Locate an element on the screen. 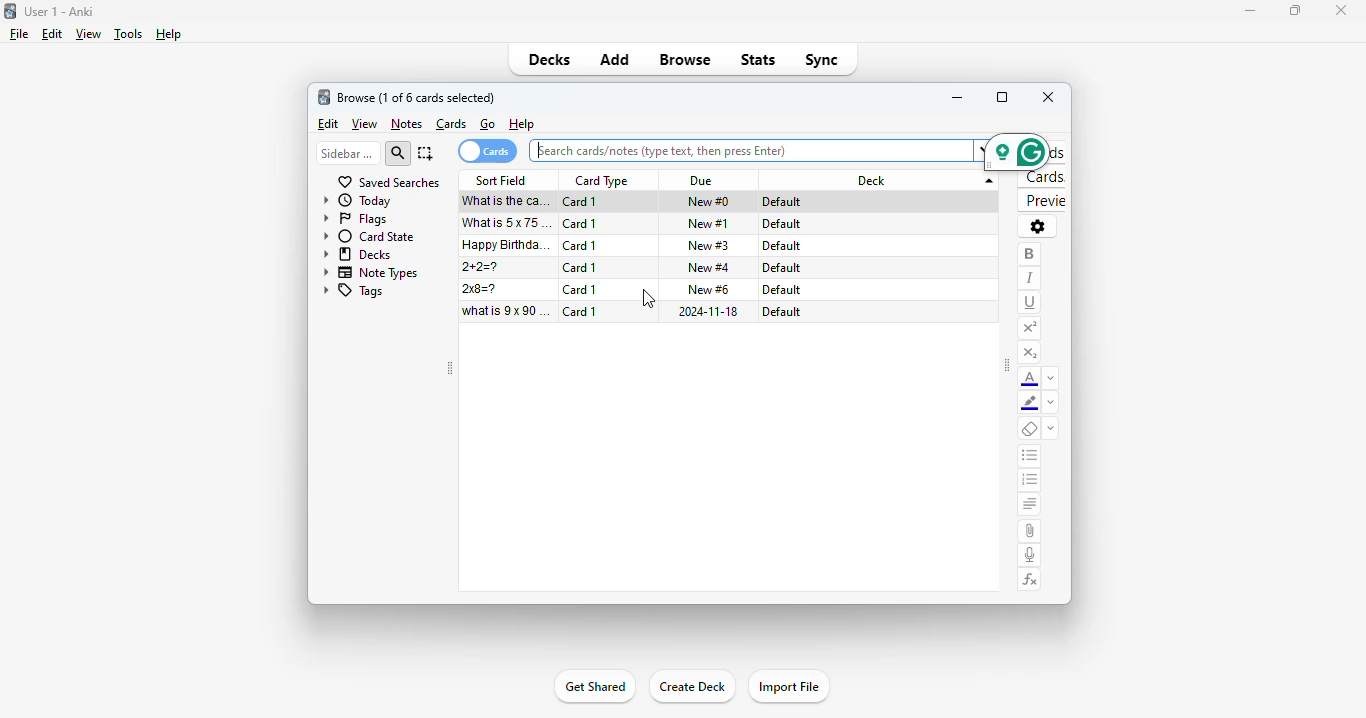 The height and width of the screenshot is (718, 1366). maximize is located at coordinates (1294, 12).